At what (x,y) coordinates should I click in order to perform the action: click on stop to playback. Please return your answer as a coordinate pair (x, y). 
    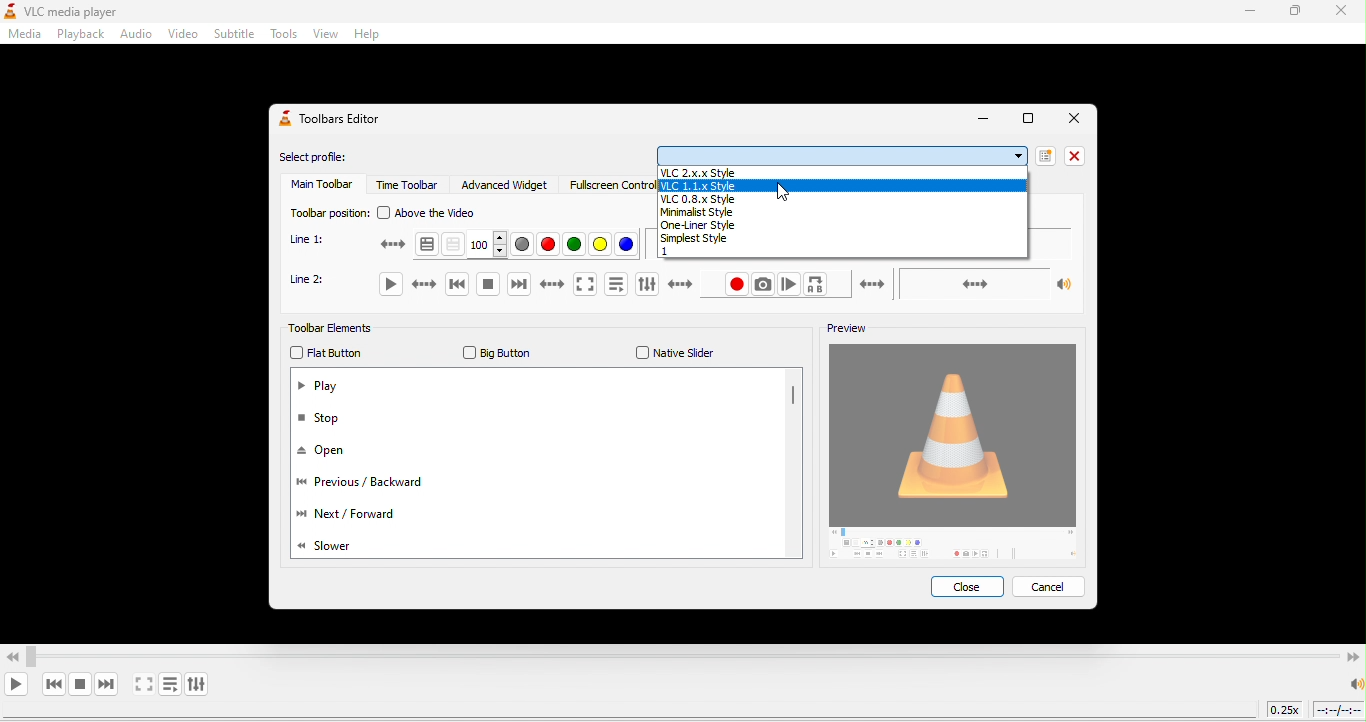
    Looking at the image, I should click on (489, 287).